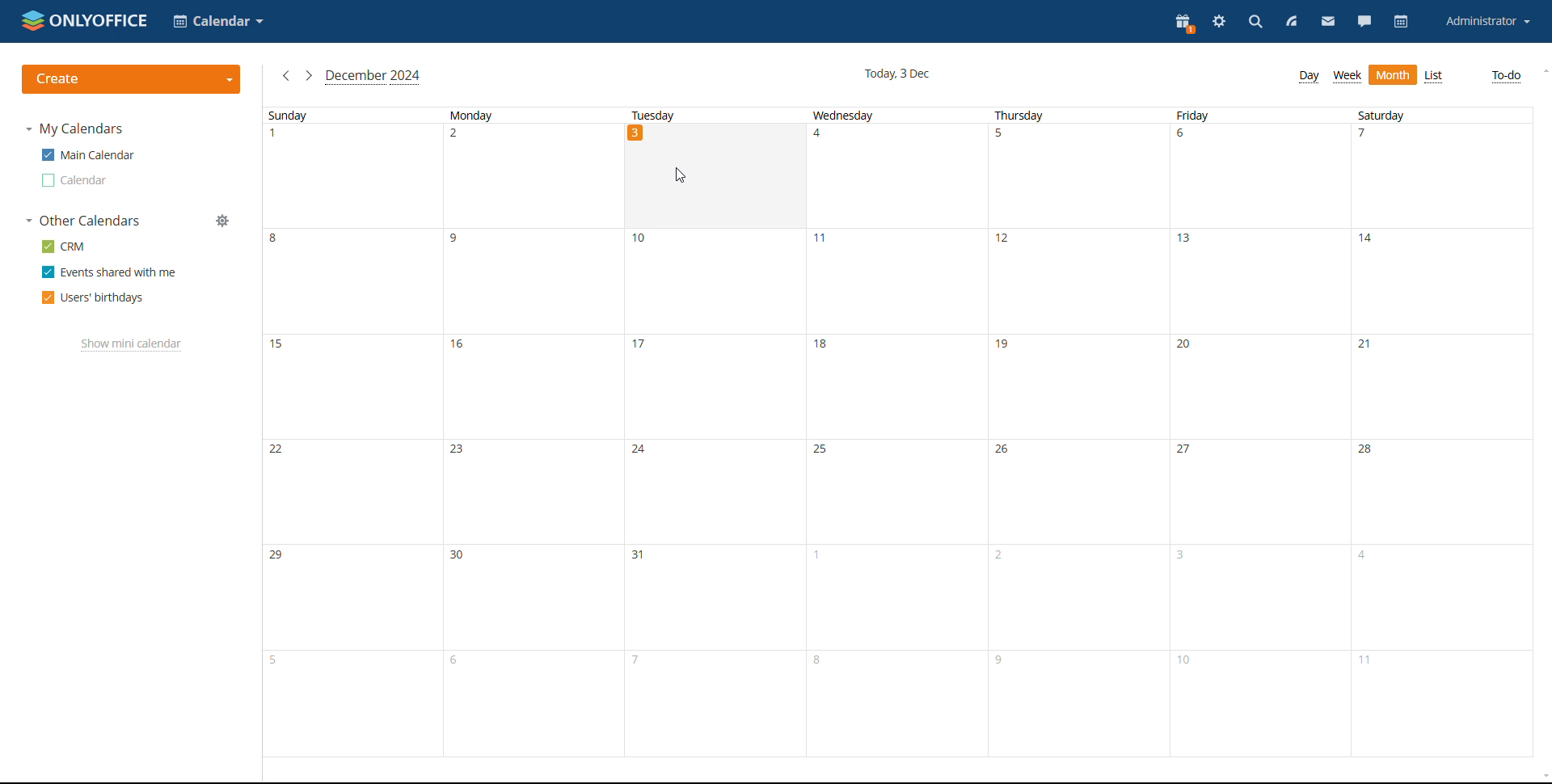 Image resolution: width=1552 pixels, height=784 pixels. Describe the element at coordinates (1542, 70) in the screenshot. I see `scroll up` at that location.